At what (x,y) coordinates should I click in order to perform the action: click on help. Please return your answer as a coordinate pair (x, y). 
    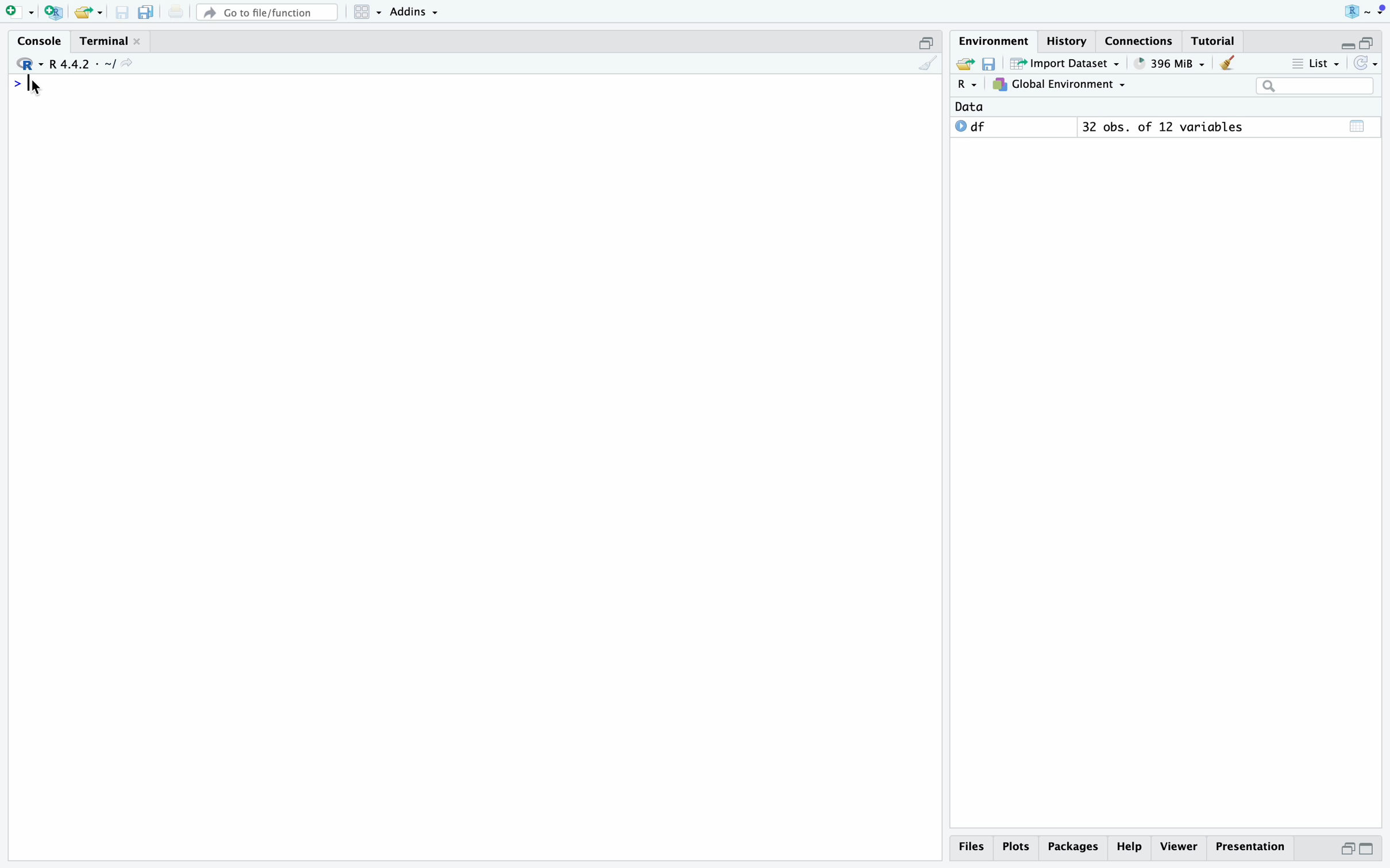
    Looking at the image, I should click on (1130, 848).